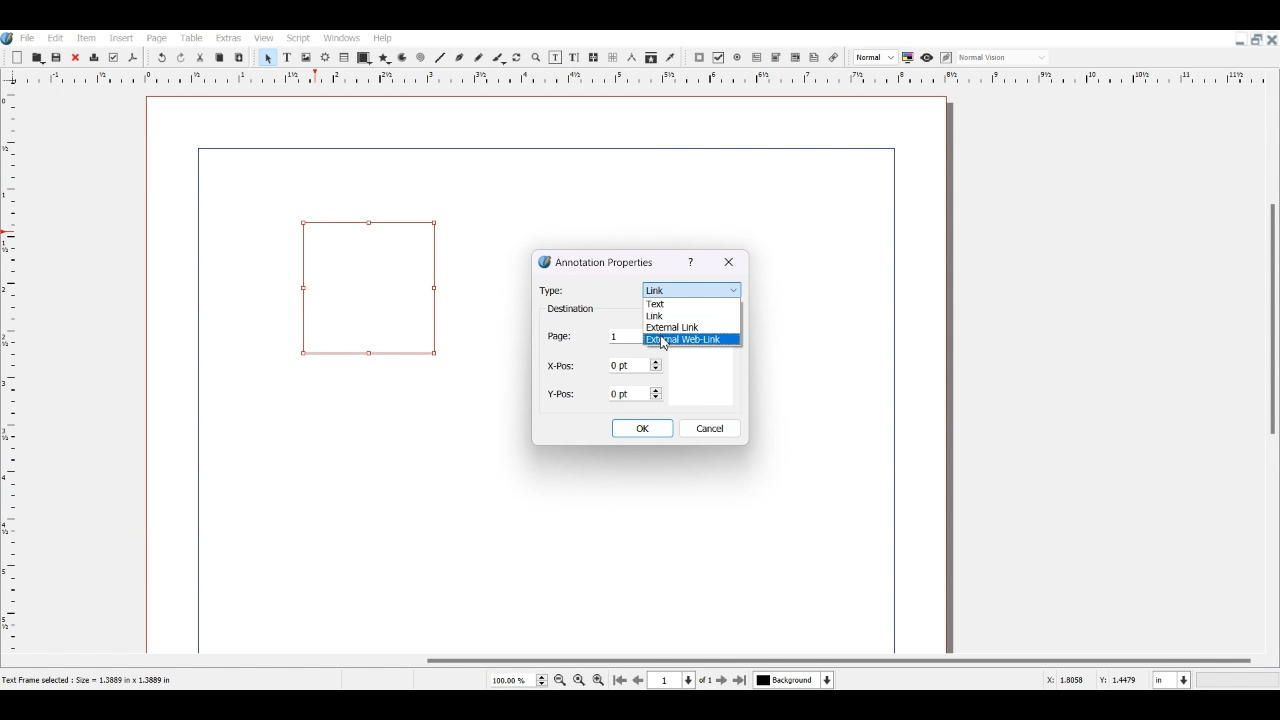 This screenshot has width=1280, height=720. What do you see at coordinates (157, 38) in the screenshot?
I see `Page` at bounding box center [157, 38].